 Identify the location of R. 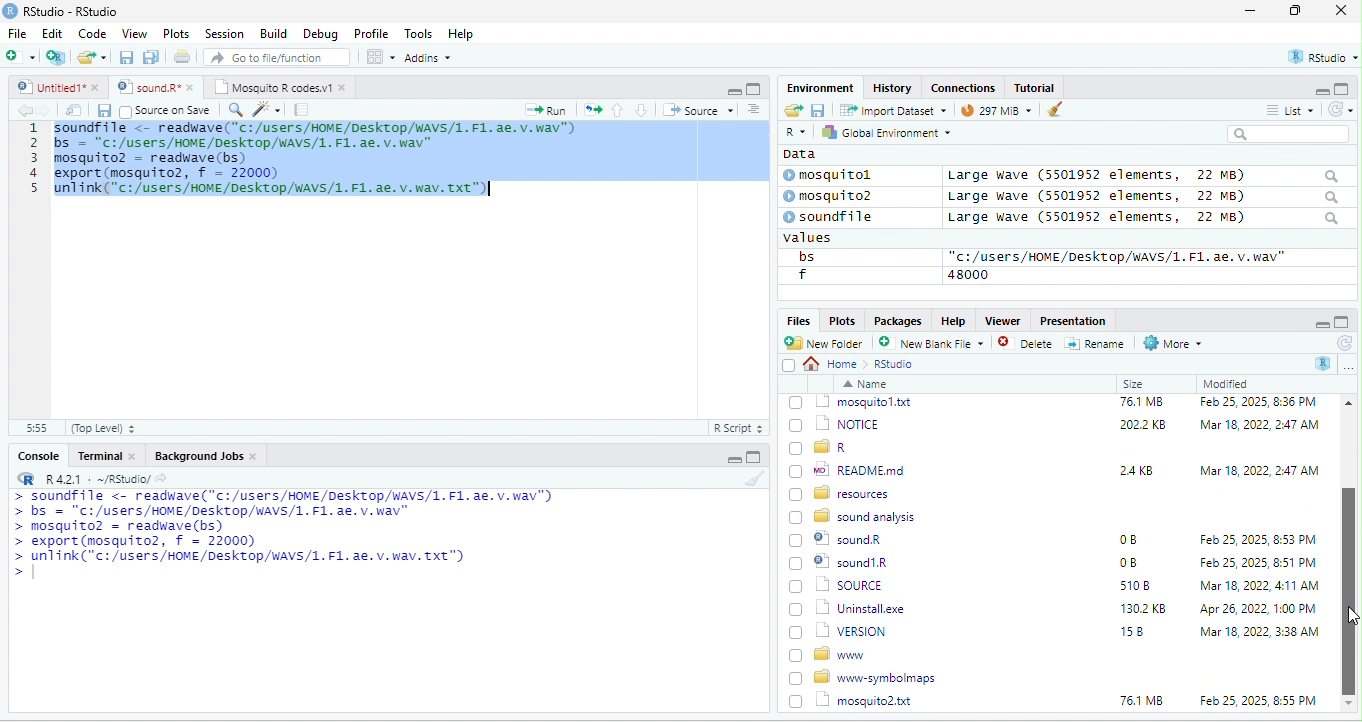
(1324, 363).